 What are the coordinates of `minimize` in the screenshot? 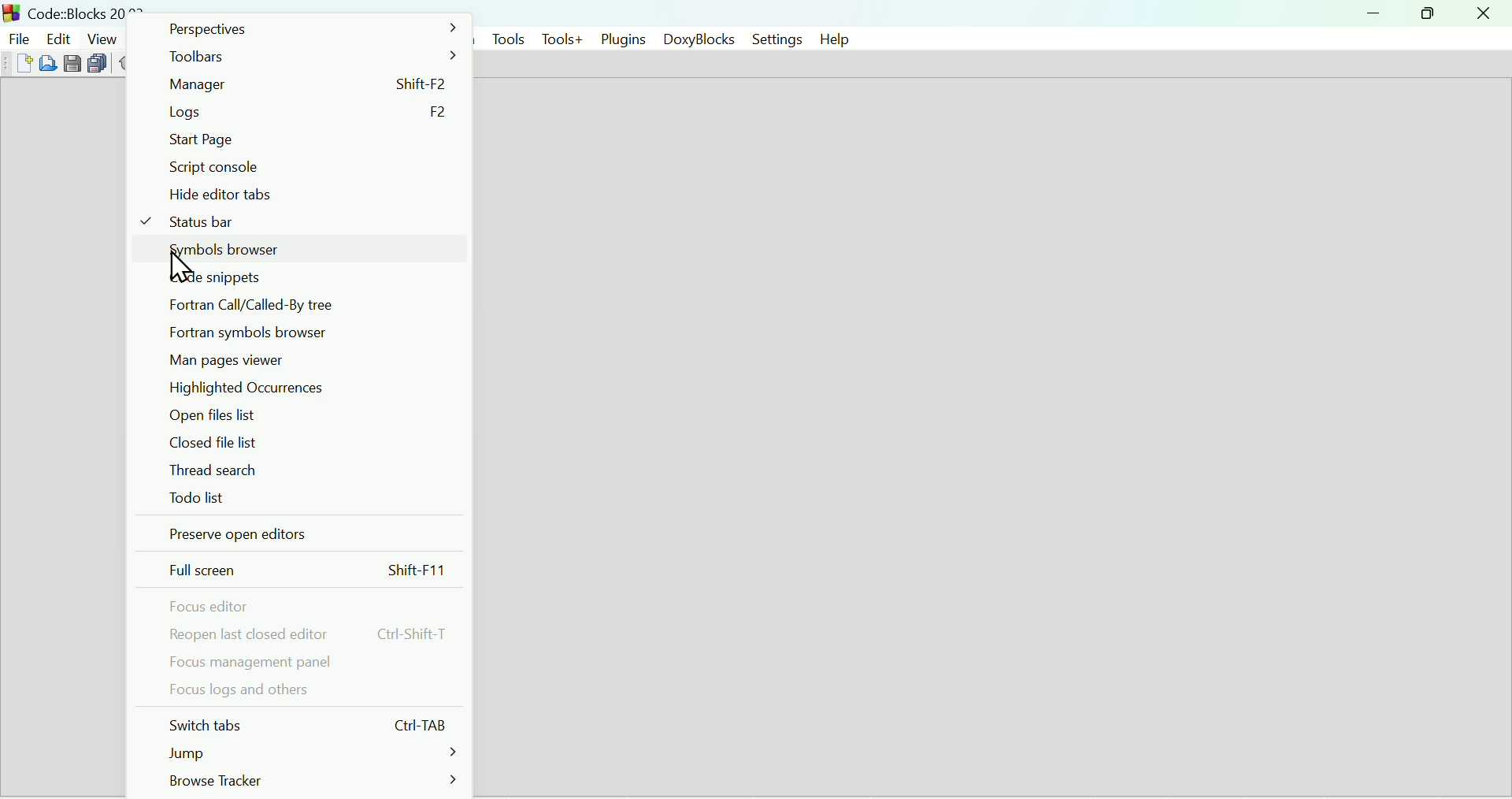 It's located at (1373, 13).